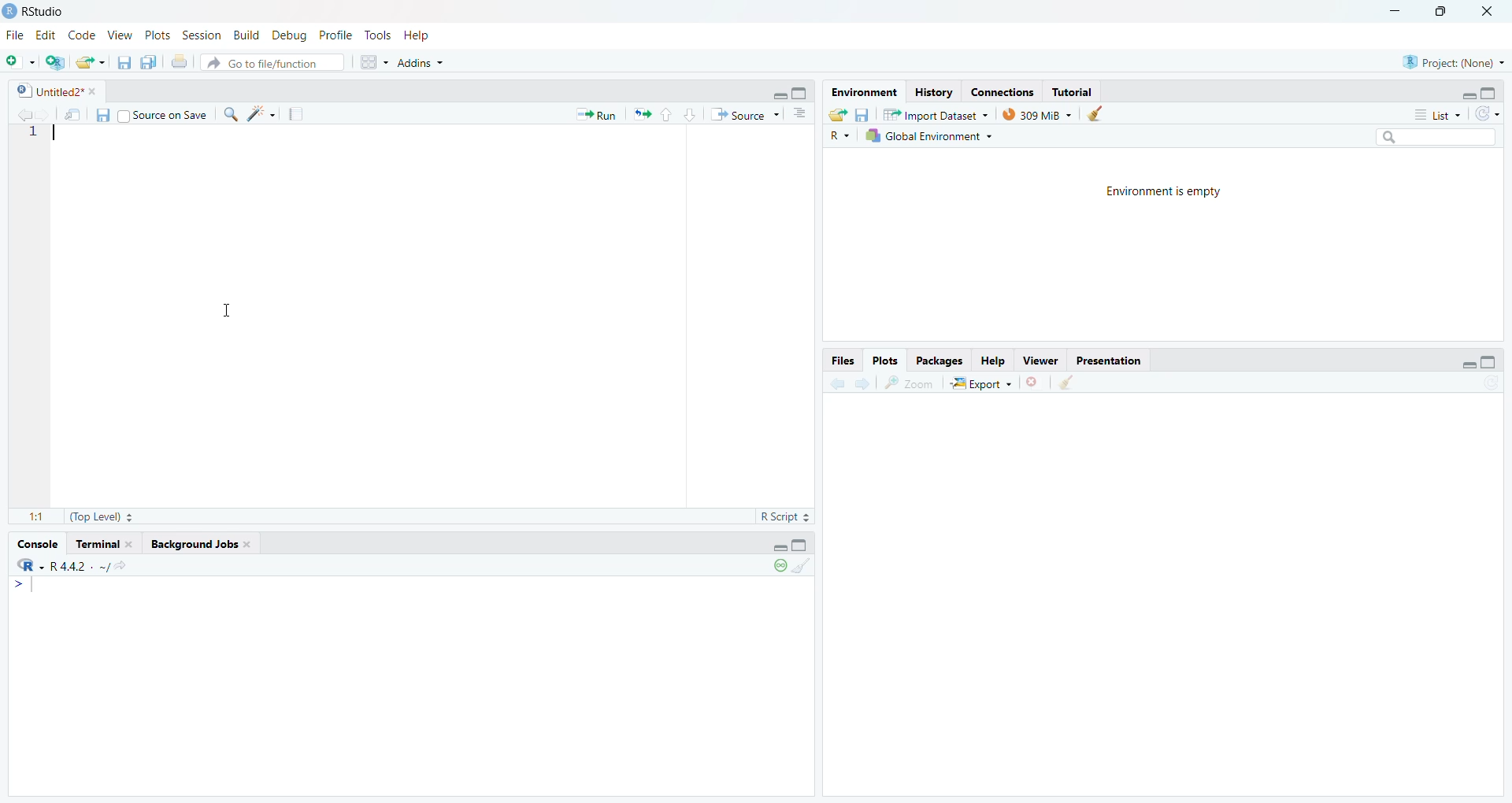 The image size is (1512, 803). What do you see at coordinates (746, 113) in the screenshot?
I see `* Source ~` at bounding box center [746, 113].